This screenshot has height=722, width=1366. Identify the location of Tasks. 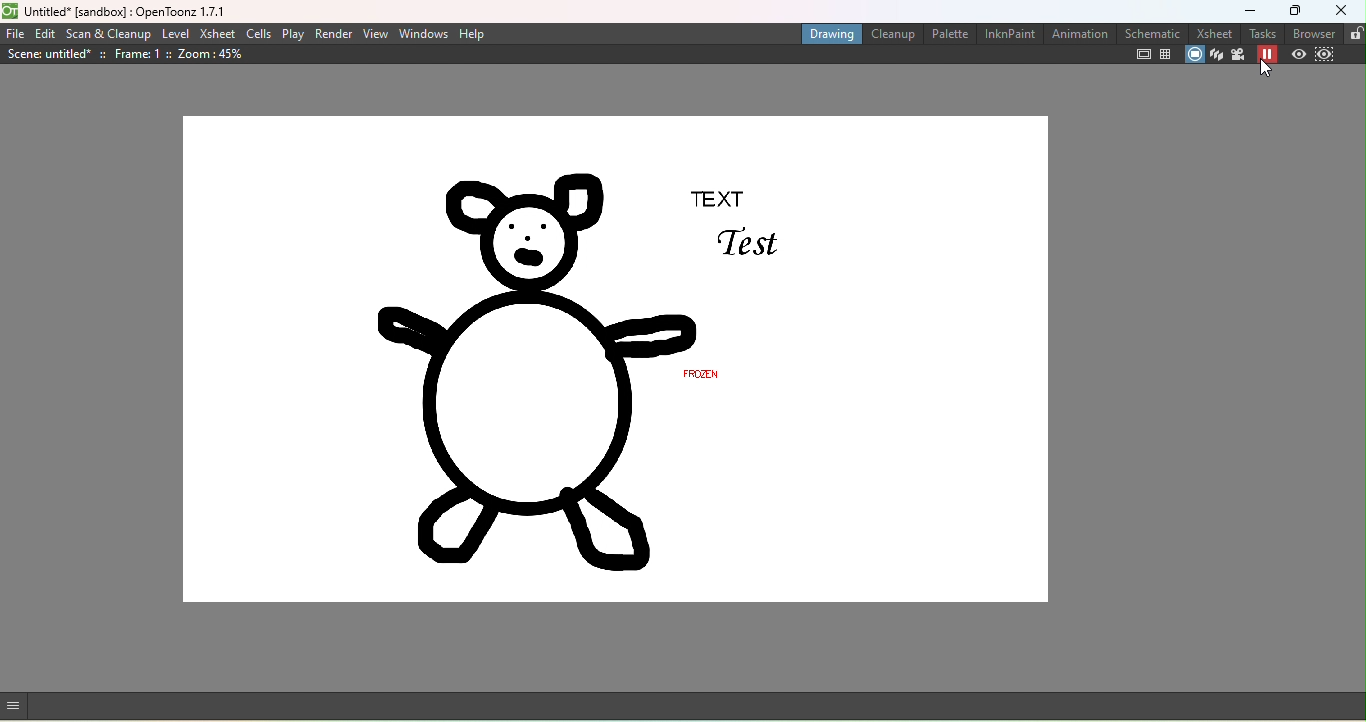
(1261, 31).